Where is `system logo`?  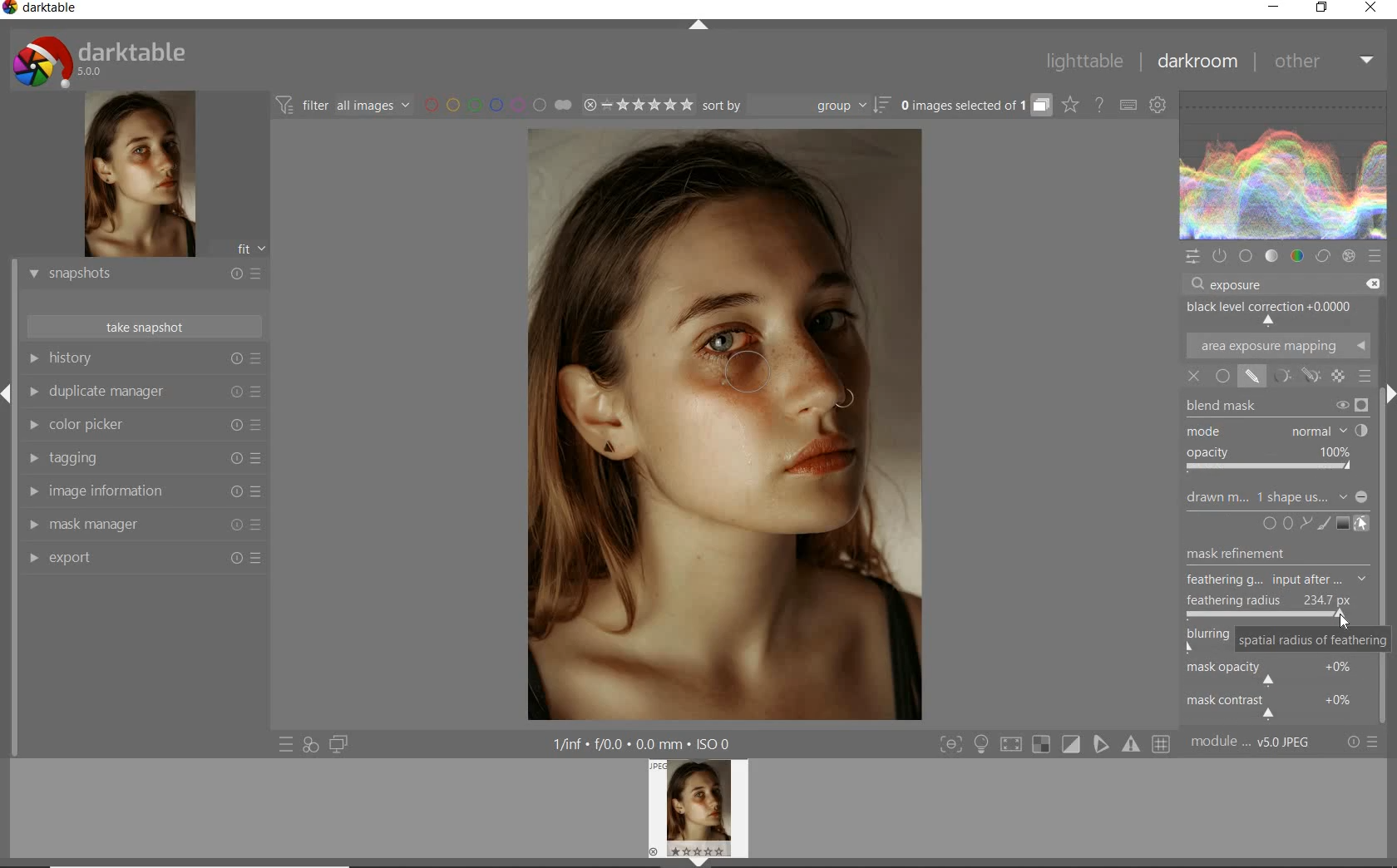 system logo is located at coordinates (108, 59).